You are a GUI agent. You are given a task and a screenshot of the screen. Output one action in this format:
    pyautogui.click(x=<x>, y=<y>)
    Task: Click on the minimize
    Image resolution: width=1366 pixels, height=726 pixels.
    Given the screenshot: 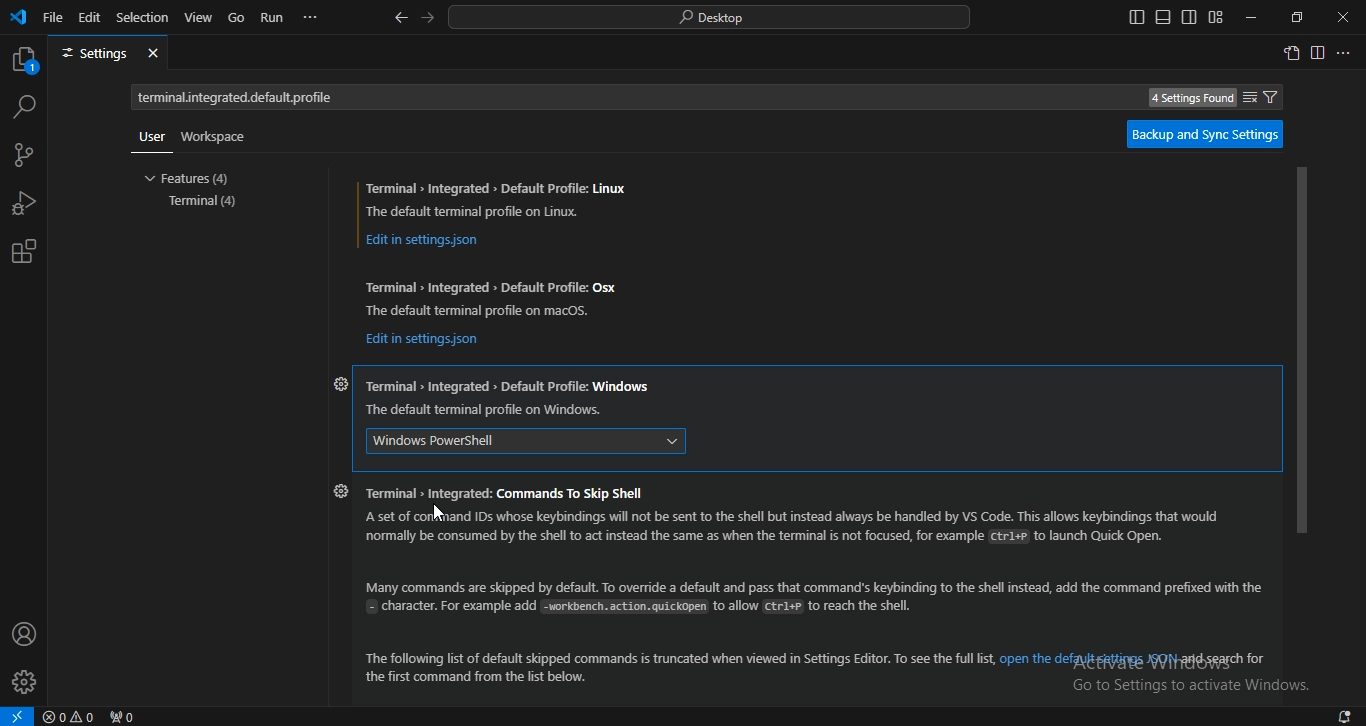 What is the action you would take?
    pyautogui.click(x=1253, y=16)
    